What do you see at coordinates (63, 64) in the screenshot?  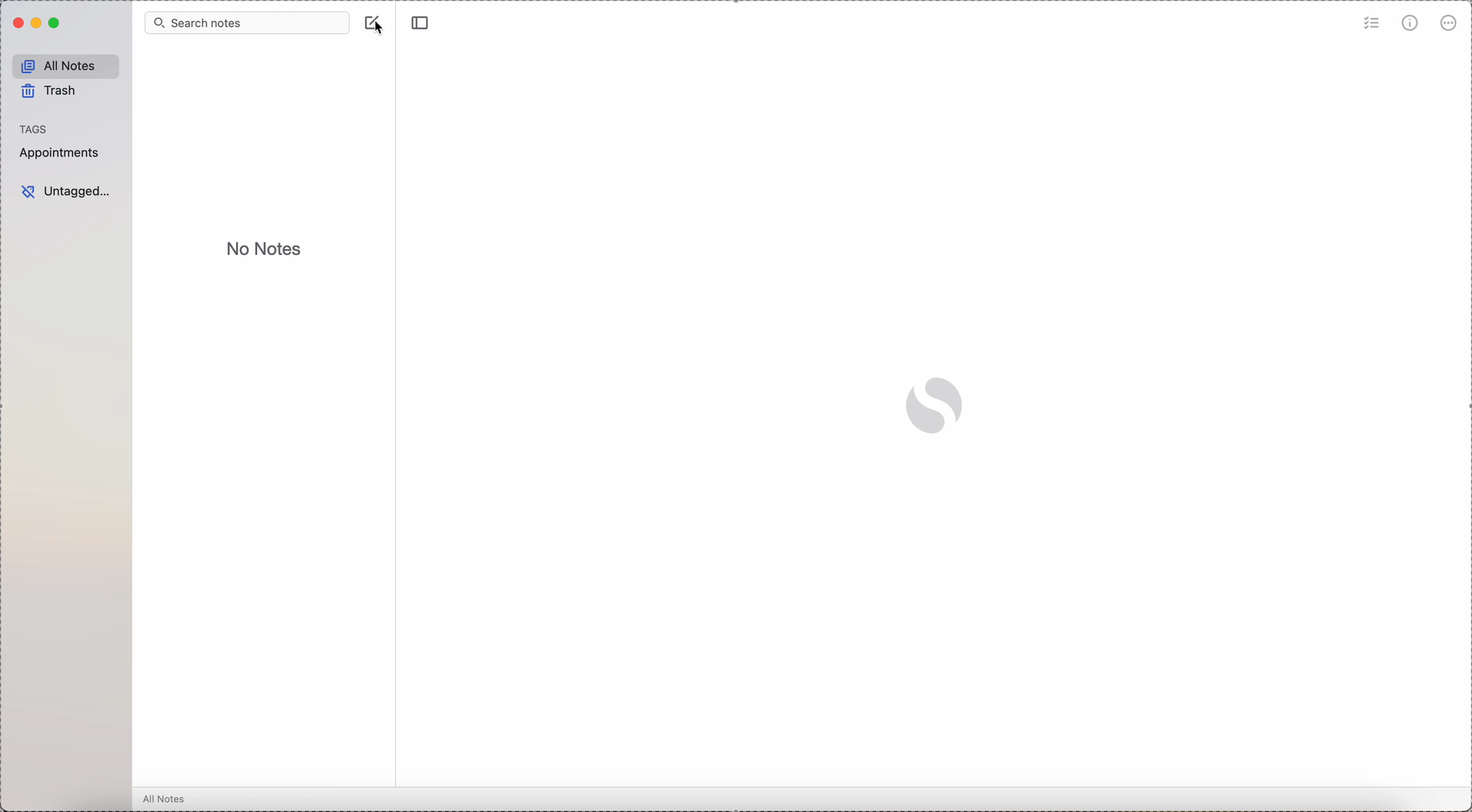 I see `all notes` at bounding box center [63, 64].